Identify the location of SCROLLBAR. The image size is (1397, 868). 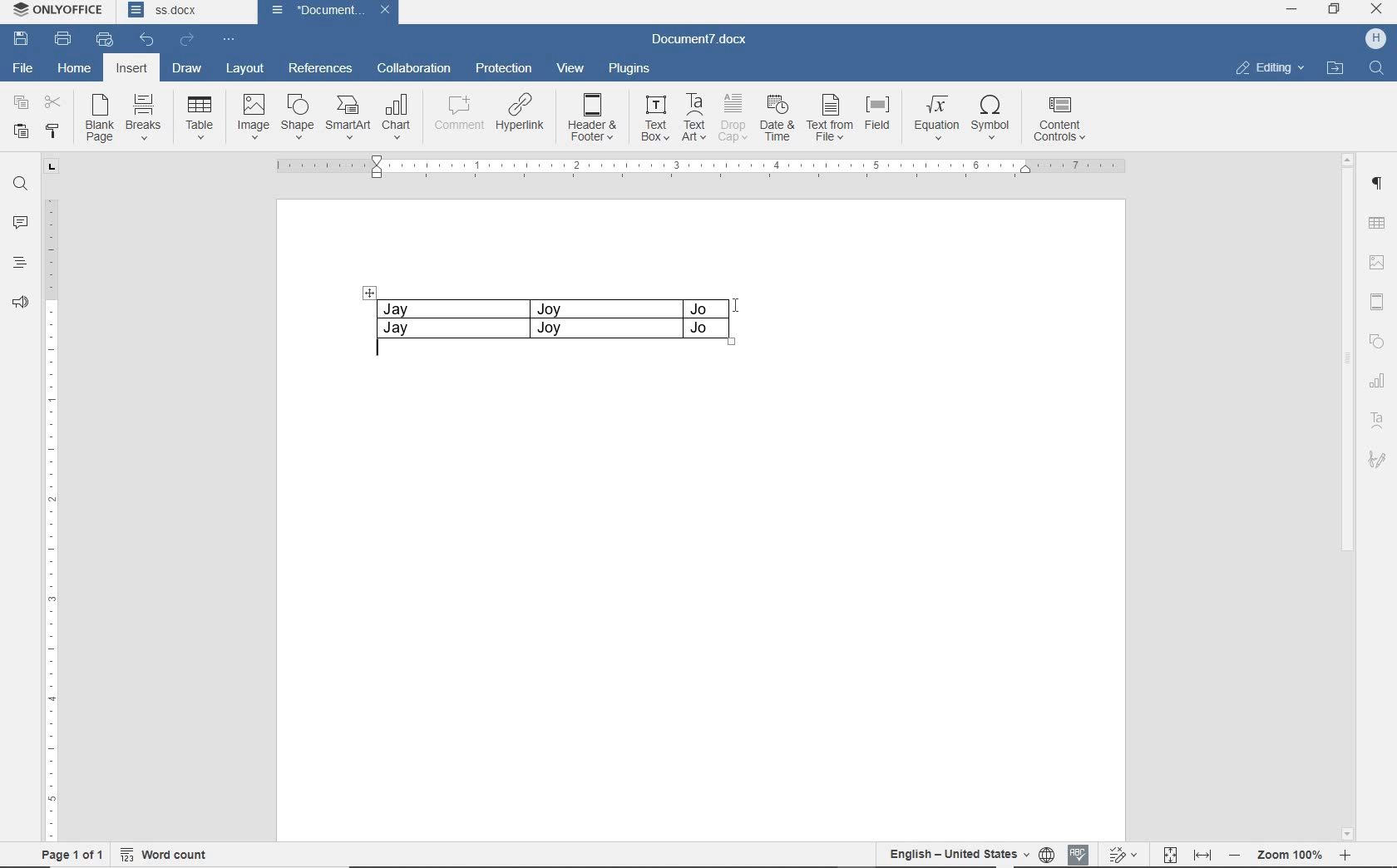
(1346, 496).